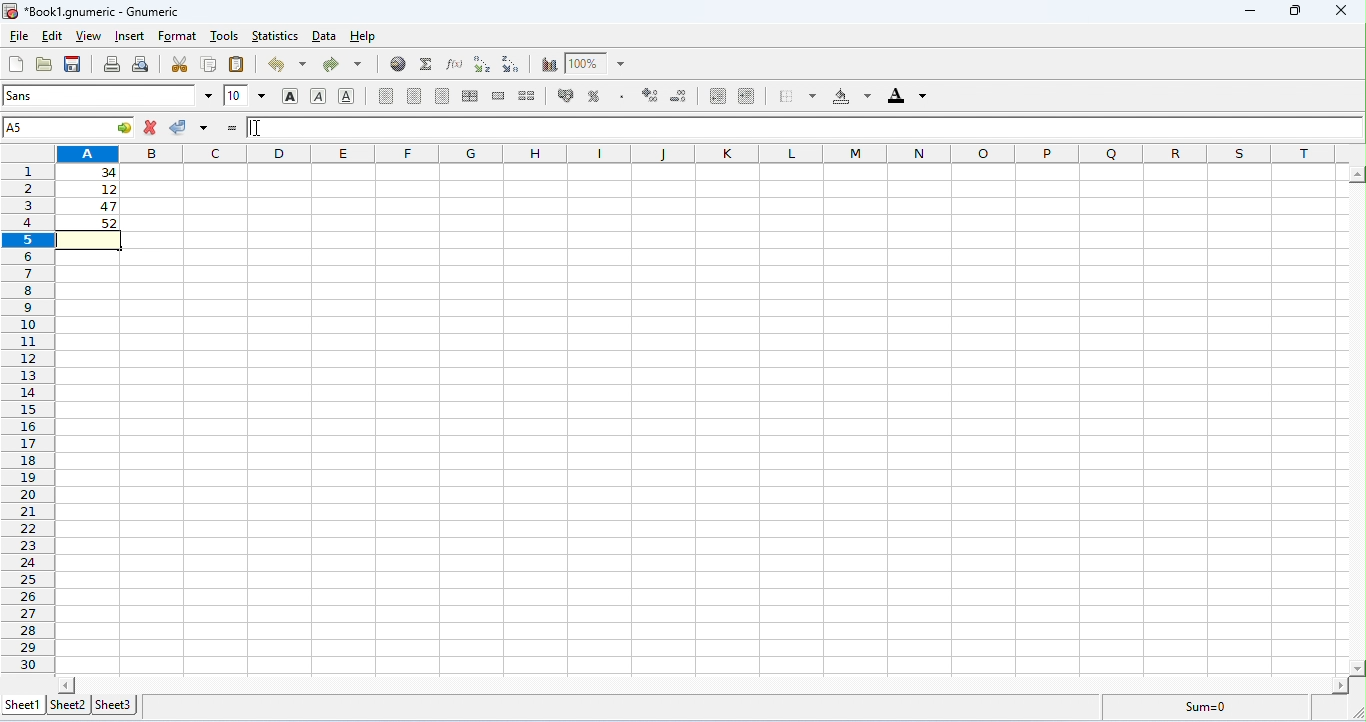  Describe the element at coordinates (73, 64) in the screenshot. I see `save` at that location.